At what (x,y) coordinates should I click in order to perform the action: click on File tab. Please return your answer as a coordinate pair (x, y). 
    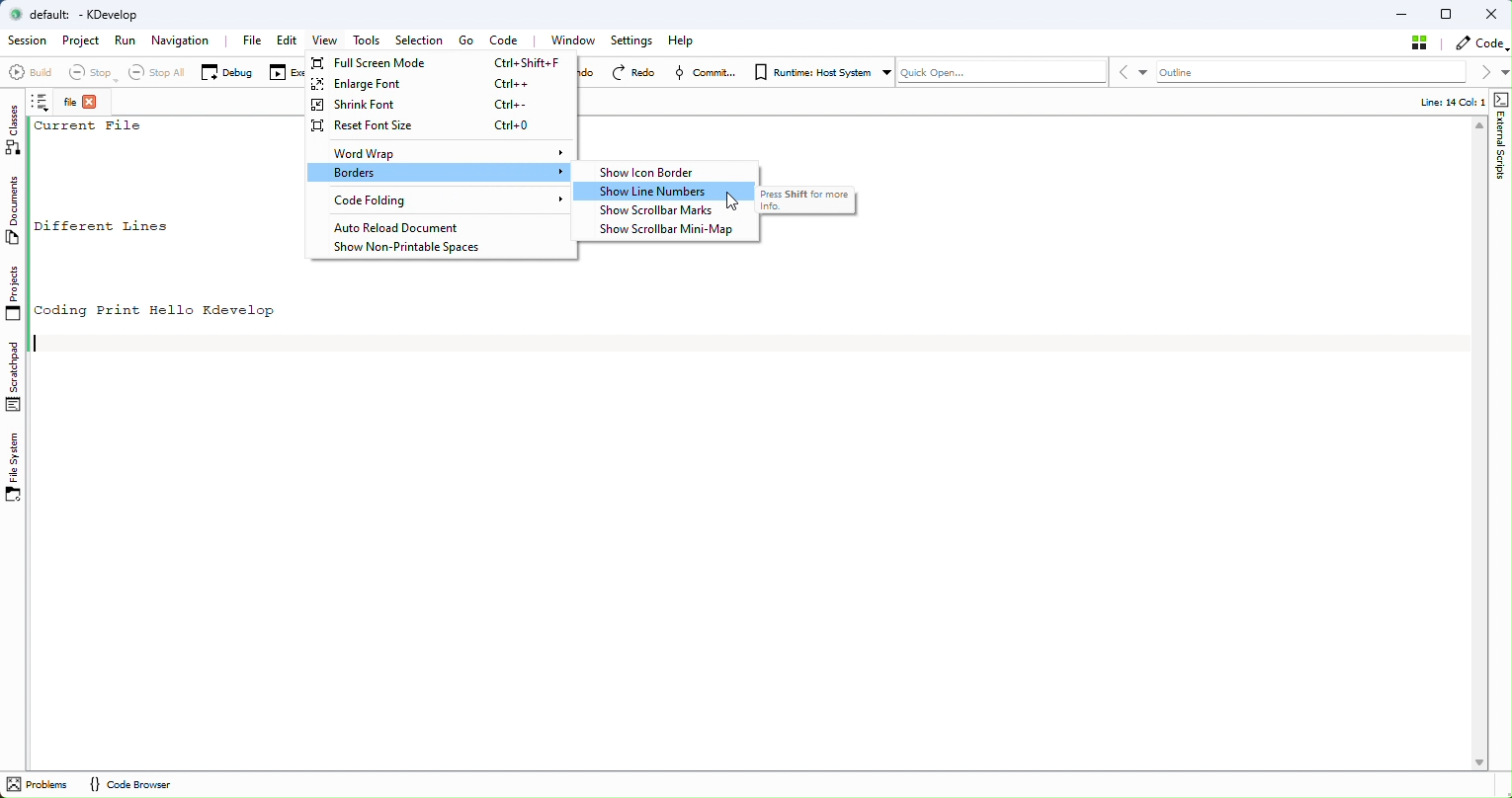
    Looking at the image, I should click on (83, 104).